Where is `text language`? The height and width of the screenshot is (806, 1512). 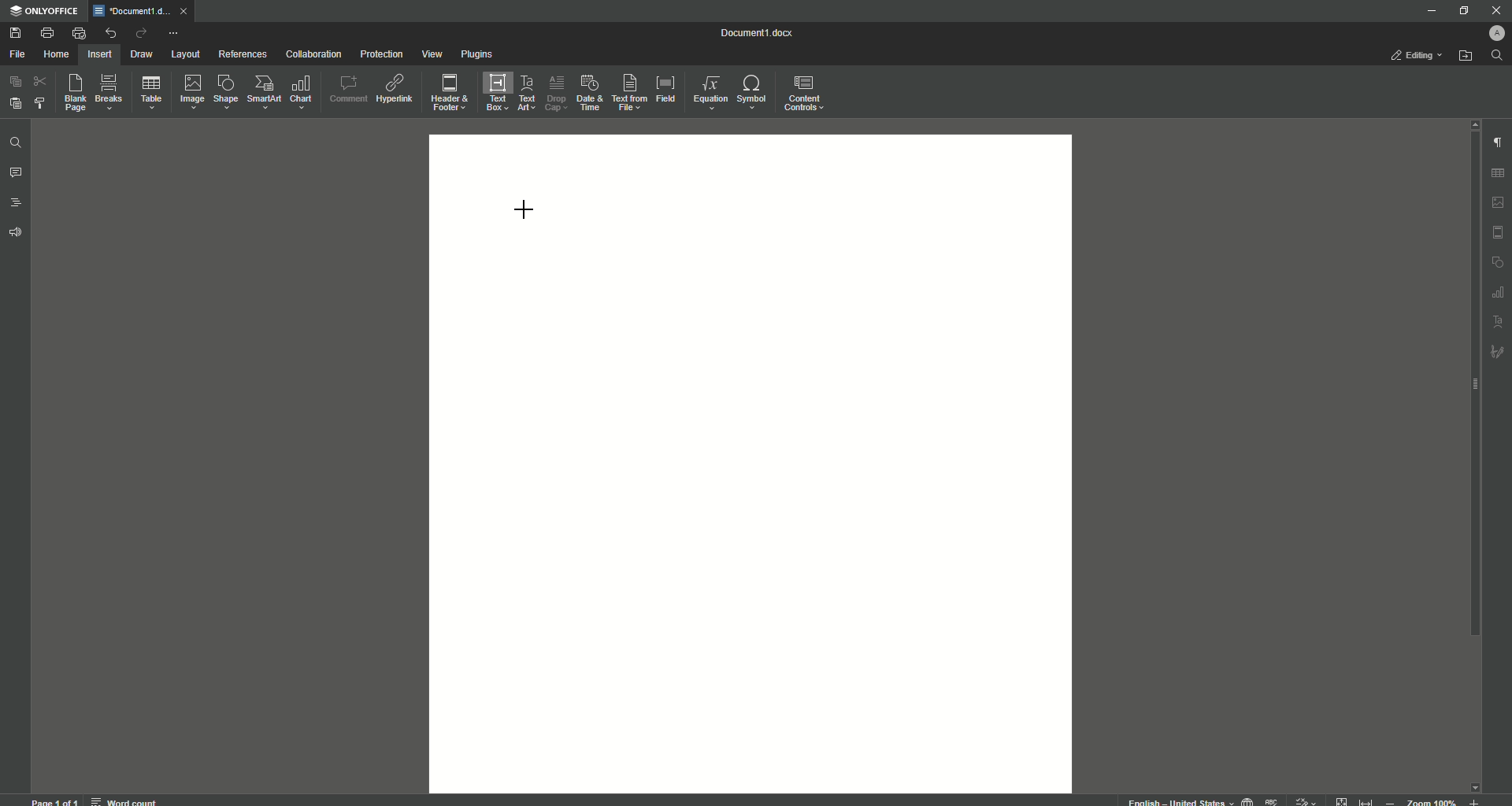 text language is located at coordinates (1173, 800).